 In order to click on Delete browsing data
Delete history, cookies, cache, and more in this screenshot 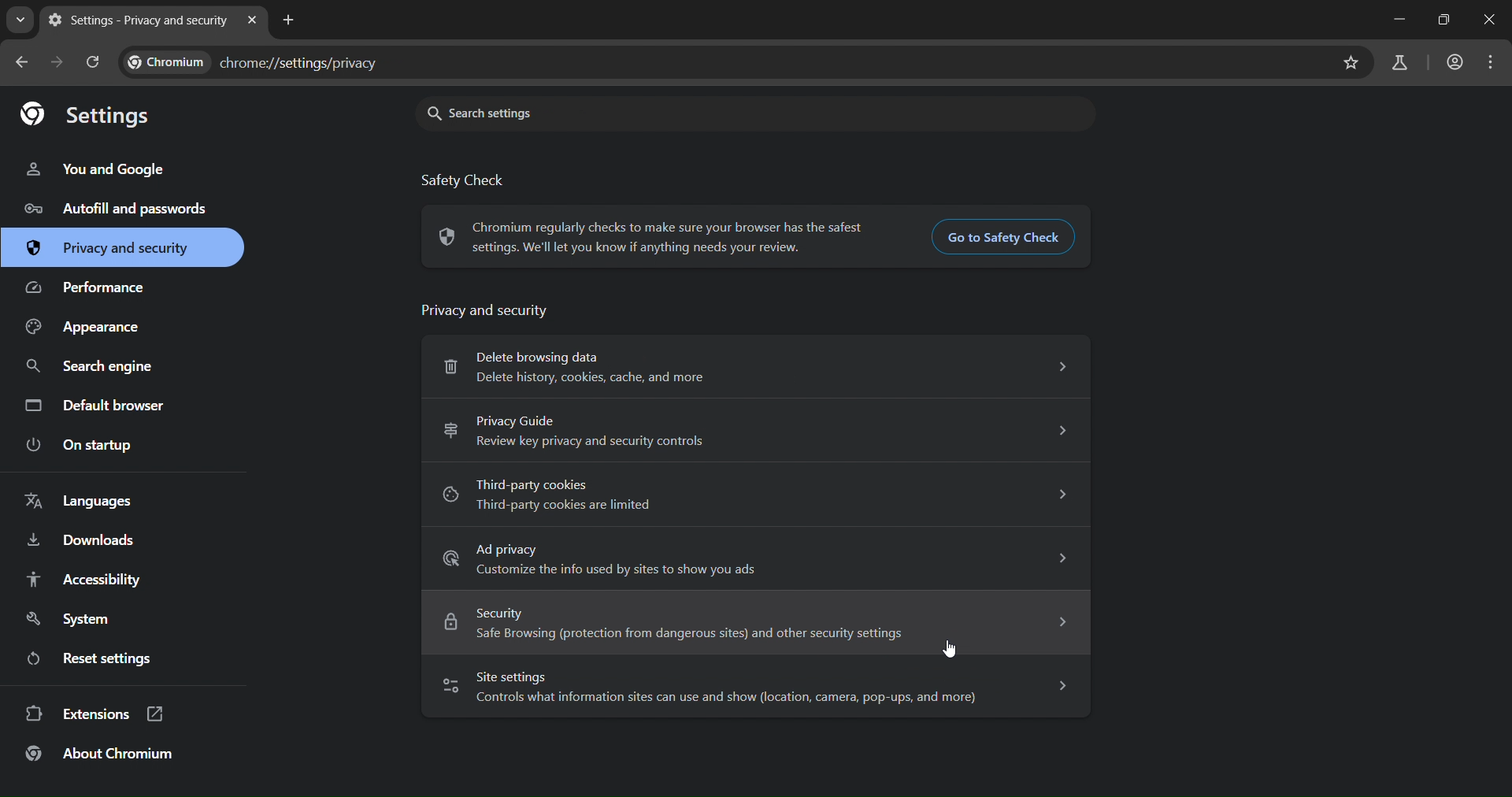, I will do `click(753, 366)`.